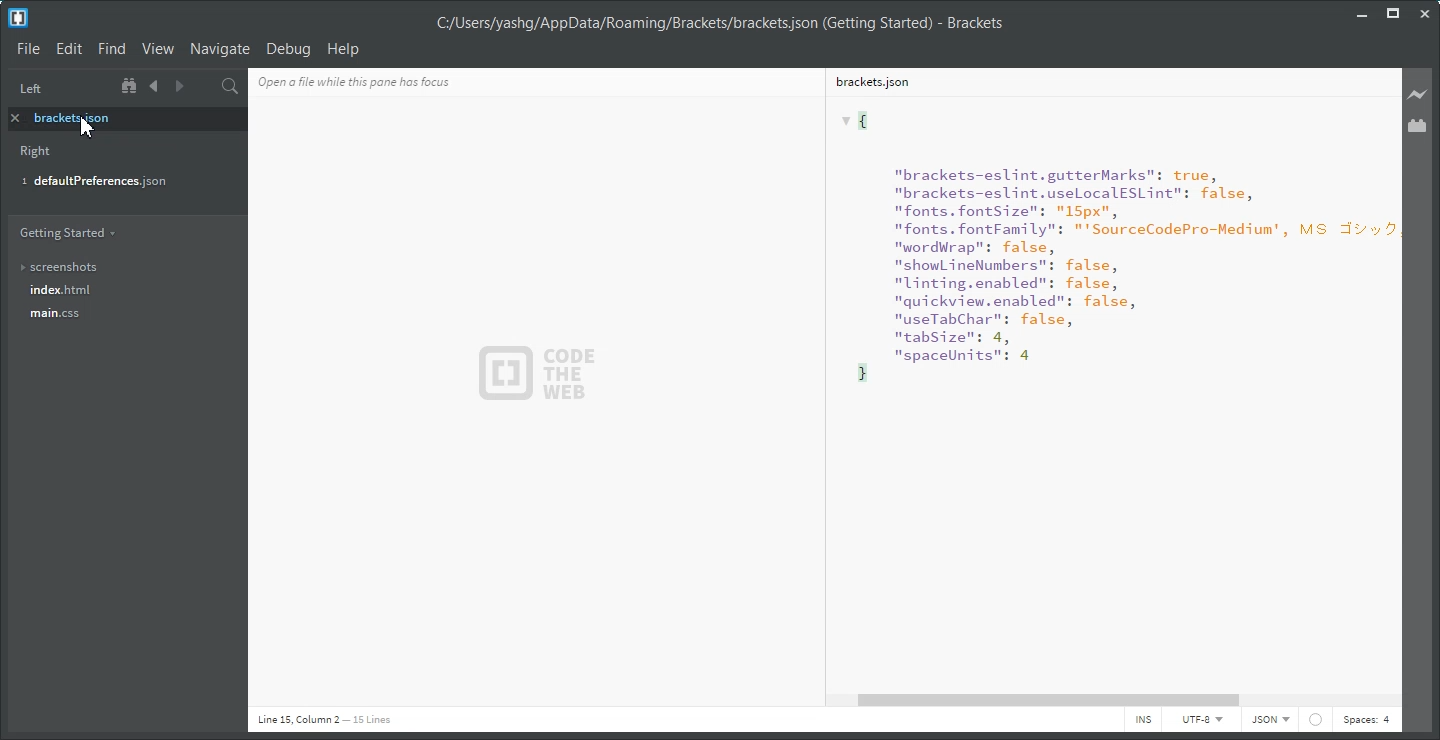 The image size is (1440, 740). Describe the element at coordinates (111, 49) in the screenshot. I see `Find` at that location.